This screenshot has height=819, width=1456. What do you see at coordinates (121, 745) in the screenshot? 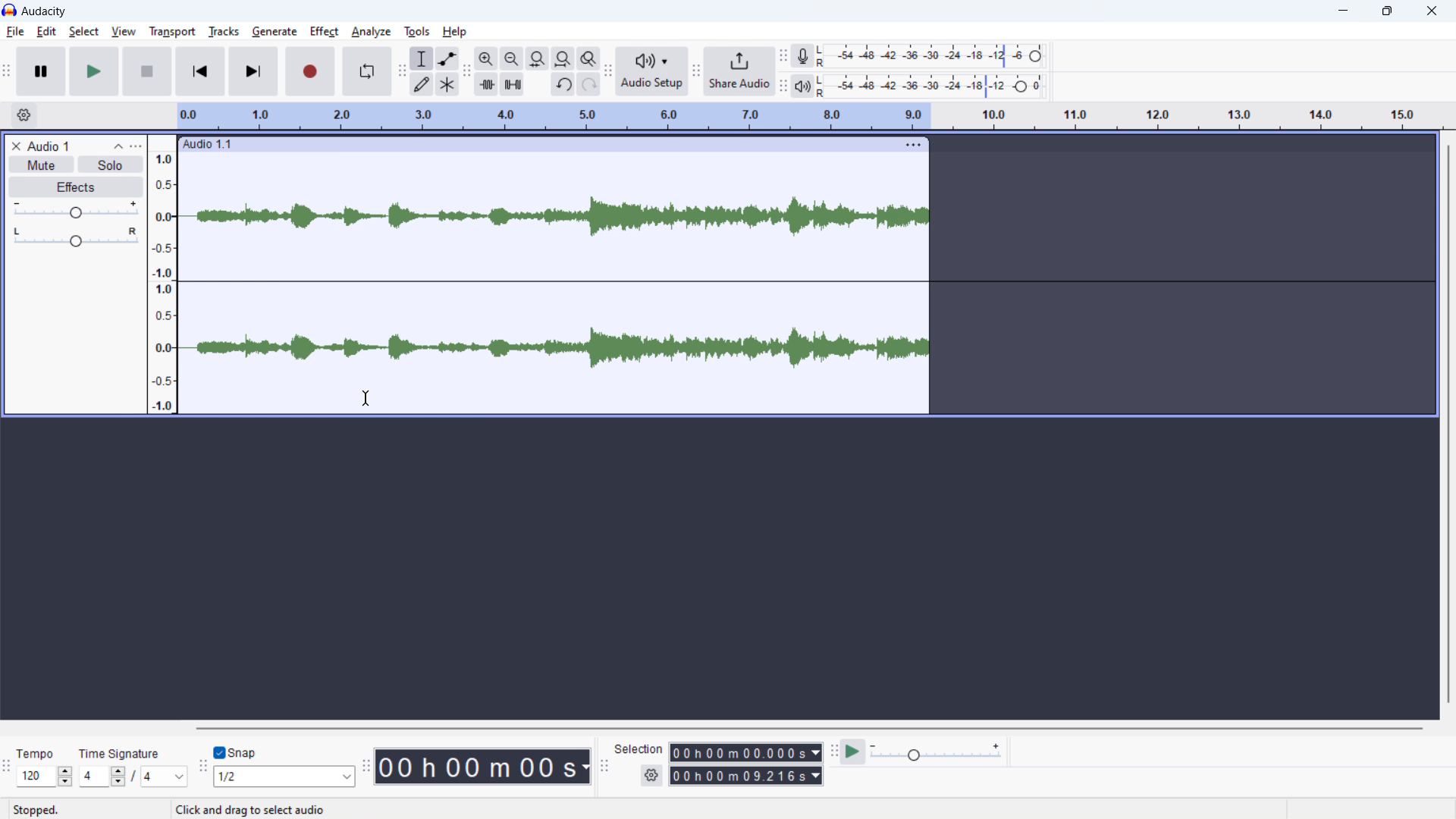
I see `Time signature` at bounding box center [121, 745].